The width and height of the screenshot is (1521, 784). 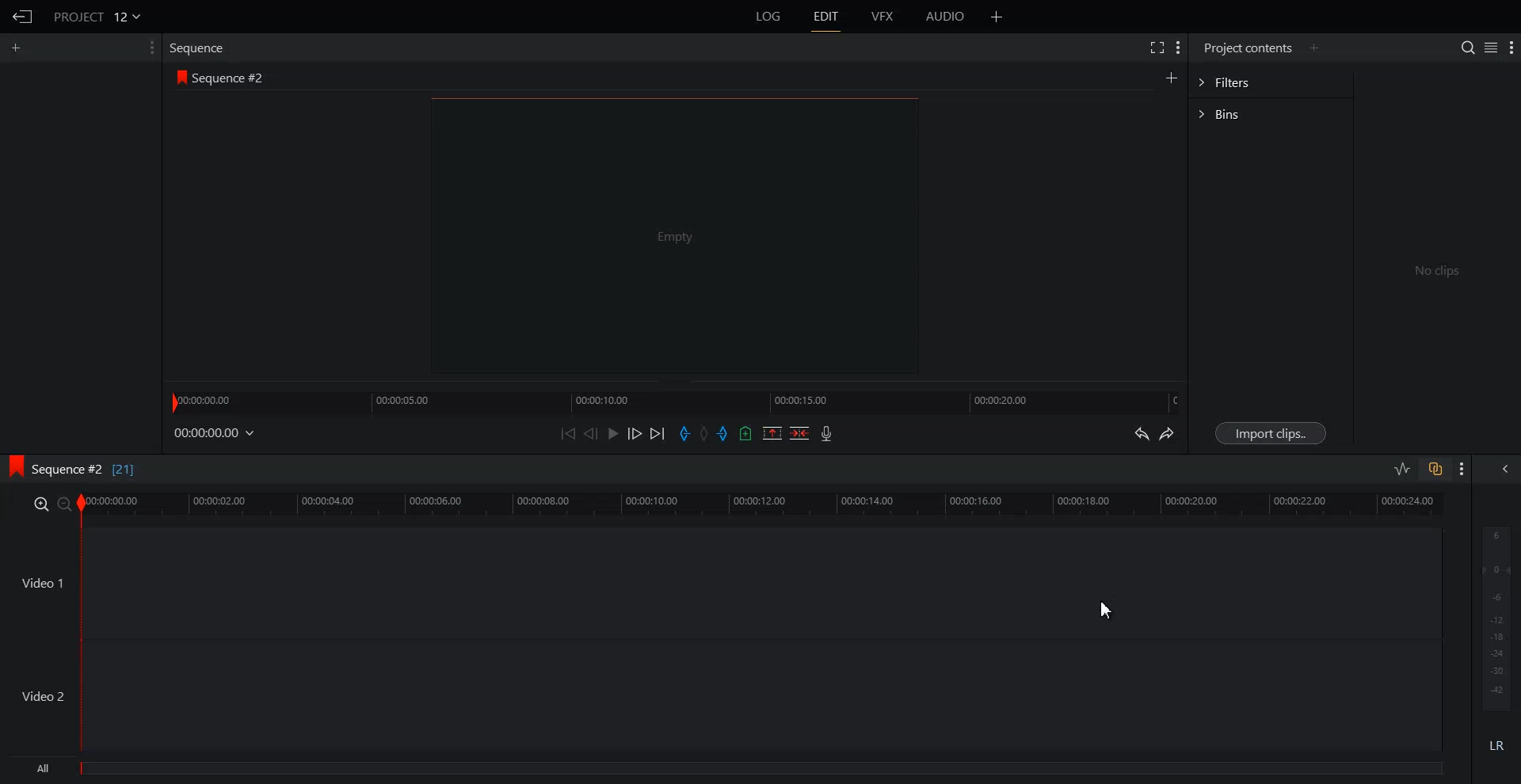 What do you see at coordinates (772, 432) in the screenshot?
I see `Remove the mark section` at bounding box center [772, 432].